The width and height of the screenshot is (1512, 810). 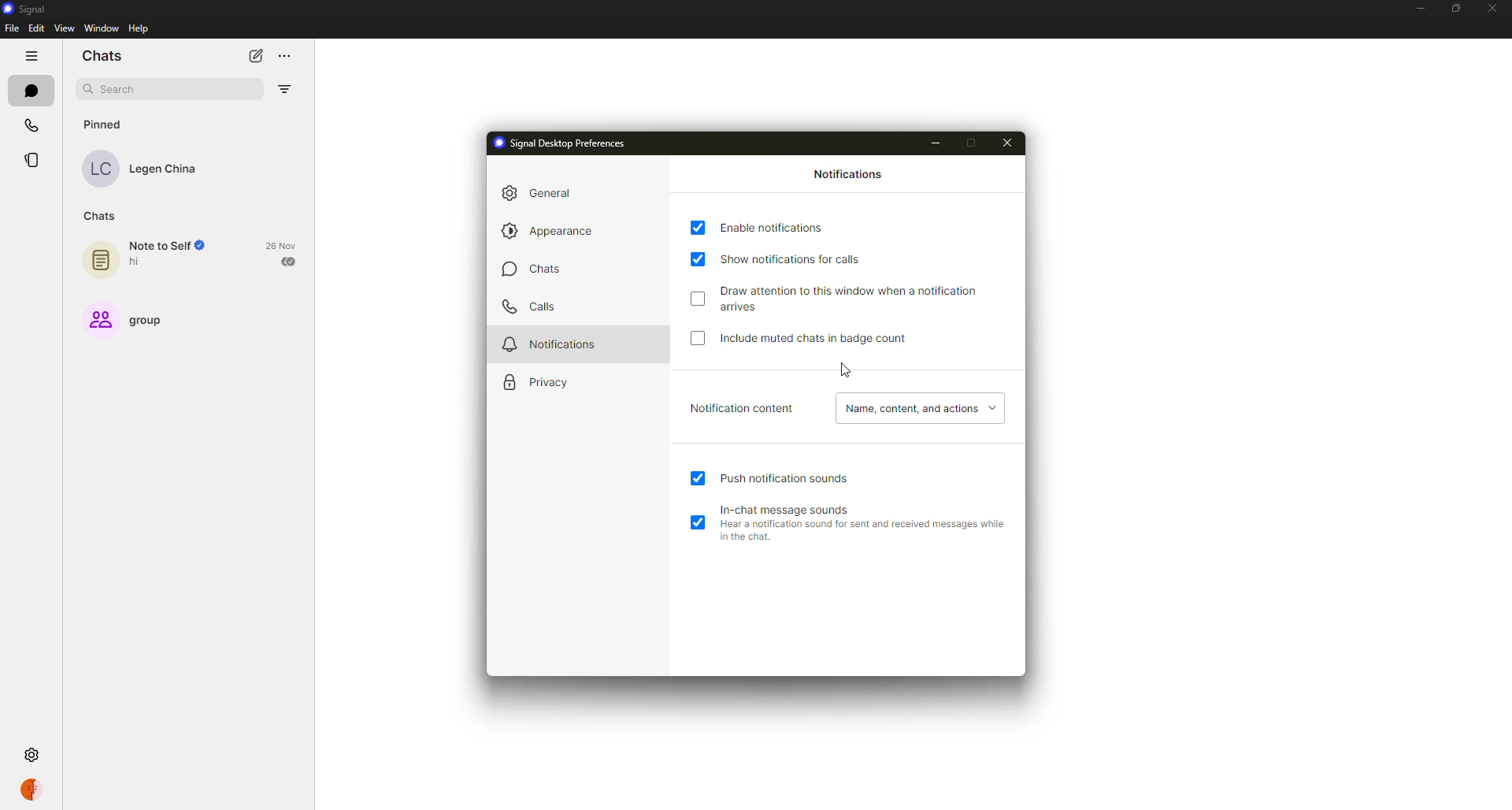 I want to click on chats, so click(x=532, y=271).